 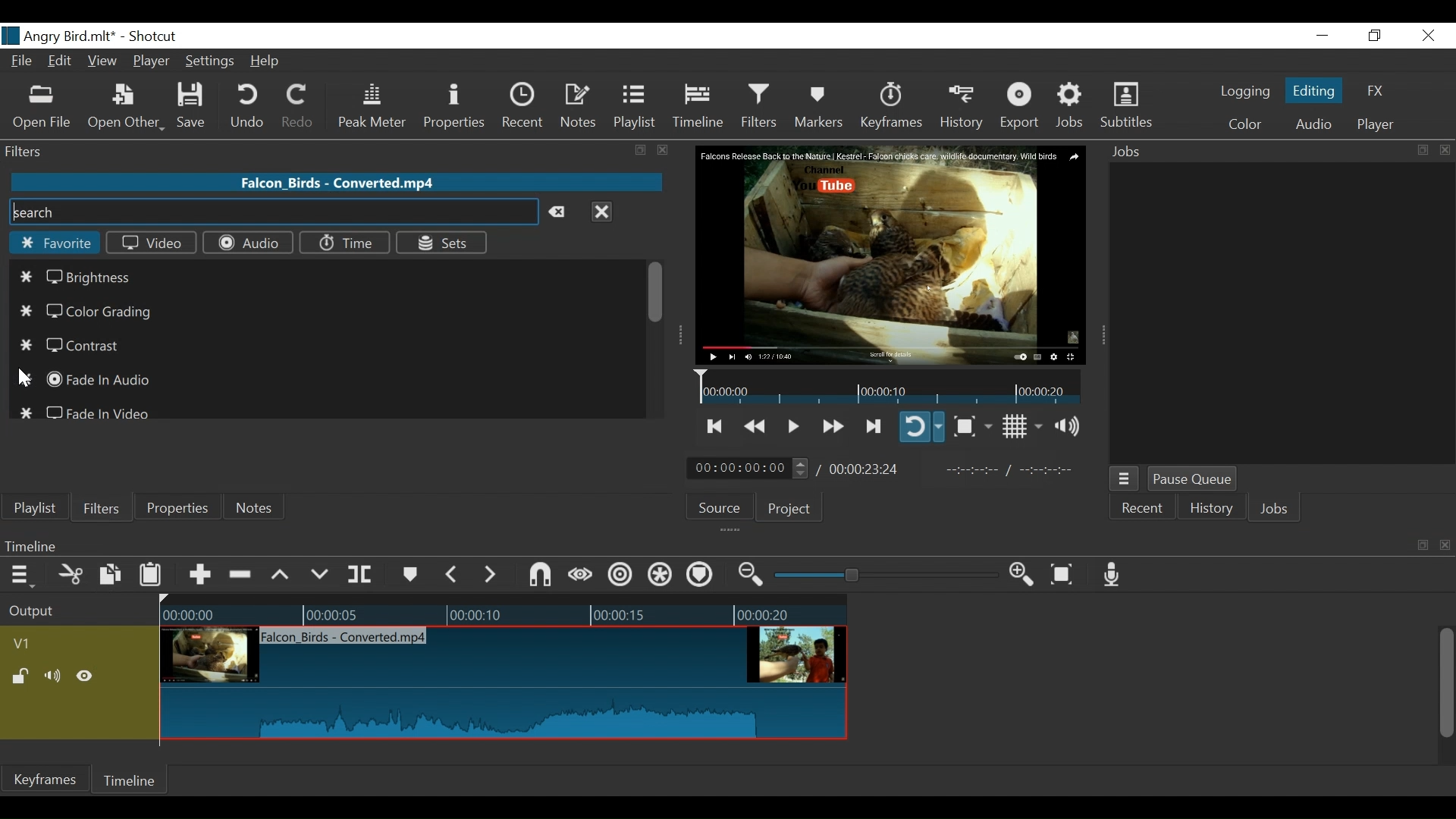 What do you see at coordinates (99, 507) in the screenshot?
I see `Filters` at bounding box center [99, 507].